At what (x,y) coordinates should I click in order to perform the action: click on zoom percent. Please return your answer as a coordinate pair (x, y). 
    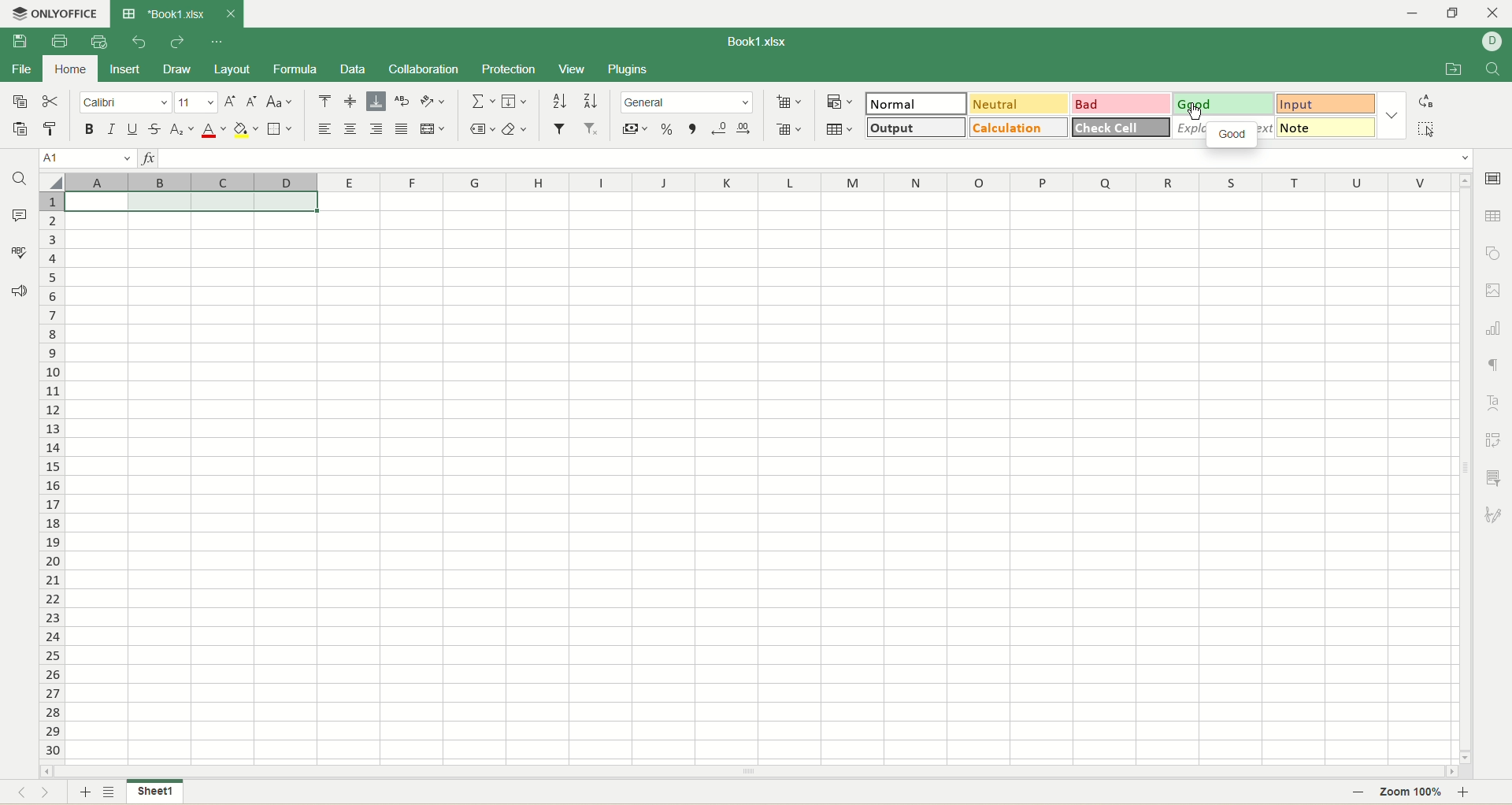
    Looking at the image, I should click on (1412, 793).